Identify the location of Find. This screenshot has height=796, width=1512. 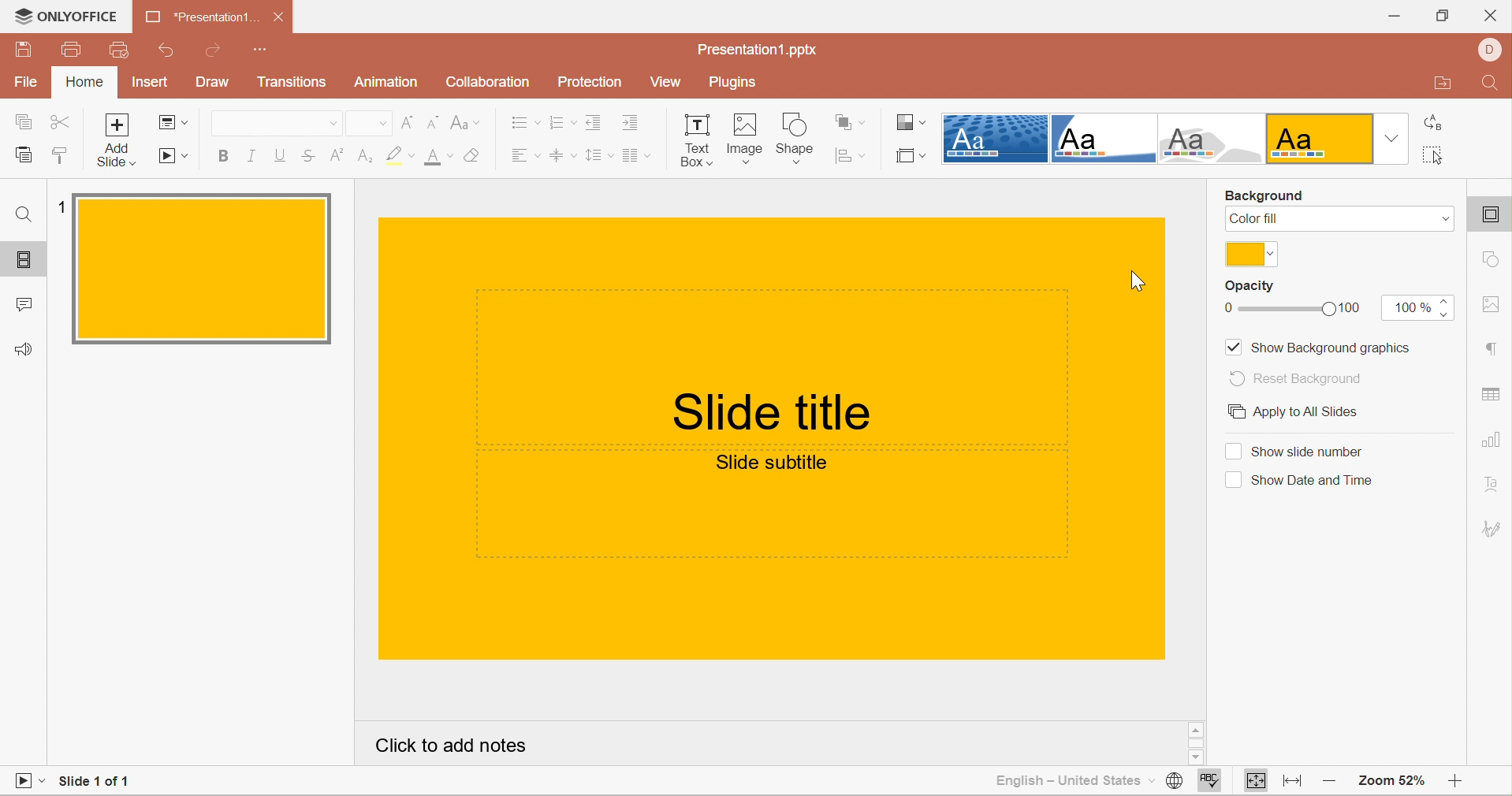
(24, 215).